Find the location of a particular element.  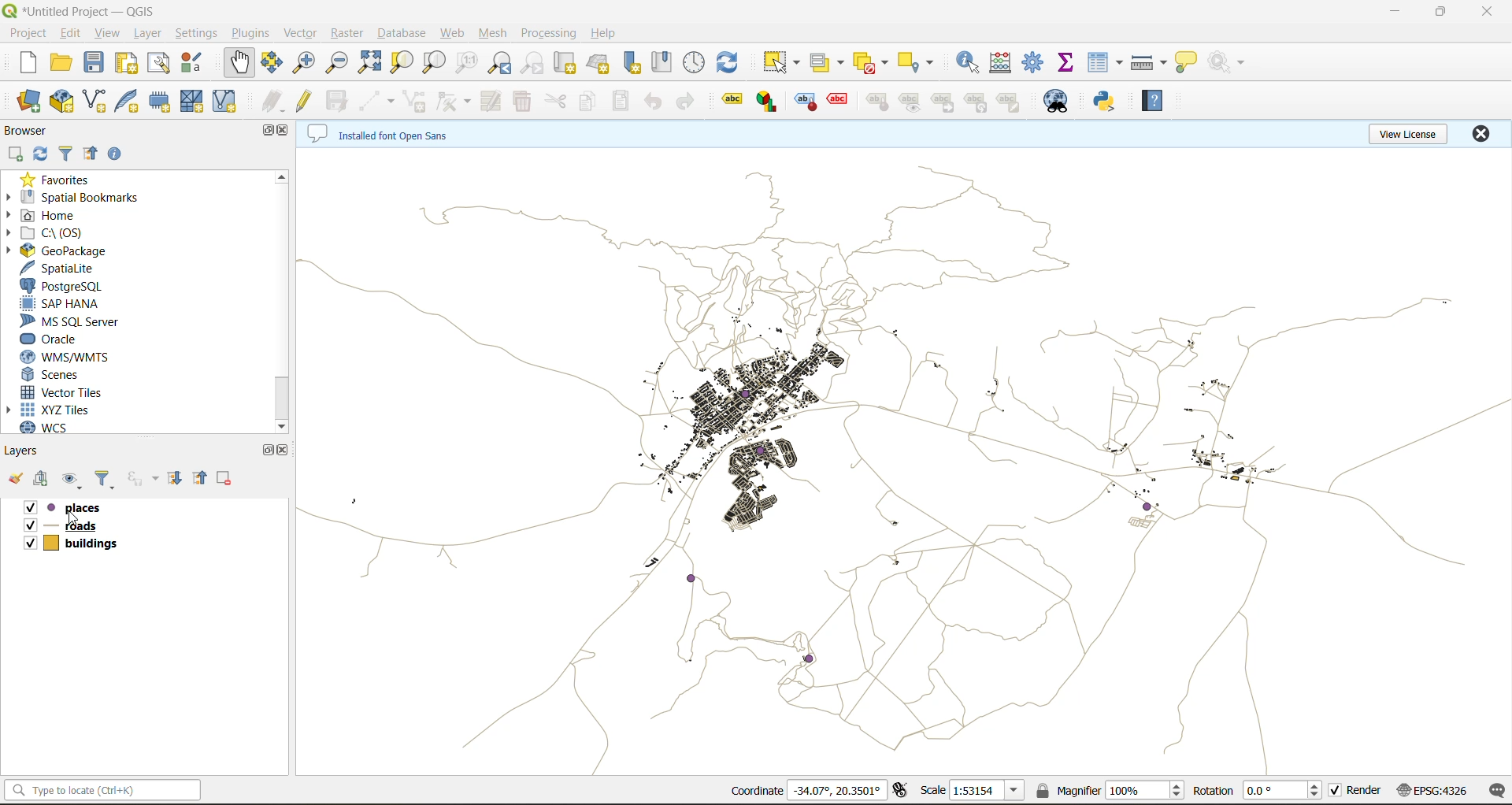

cut is located at coordinates (558, 102).